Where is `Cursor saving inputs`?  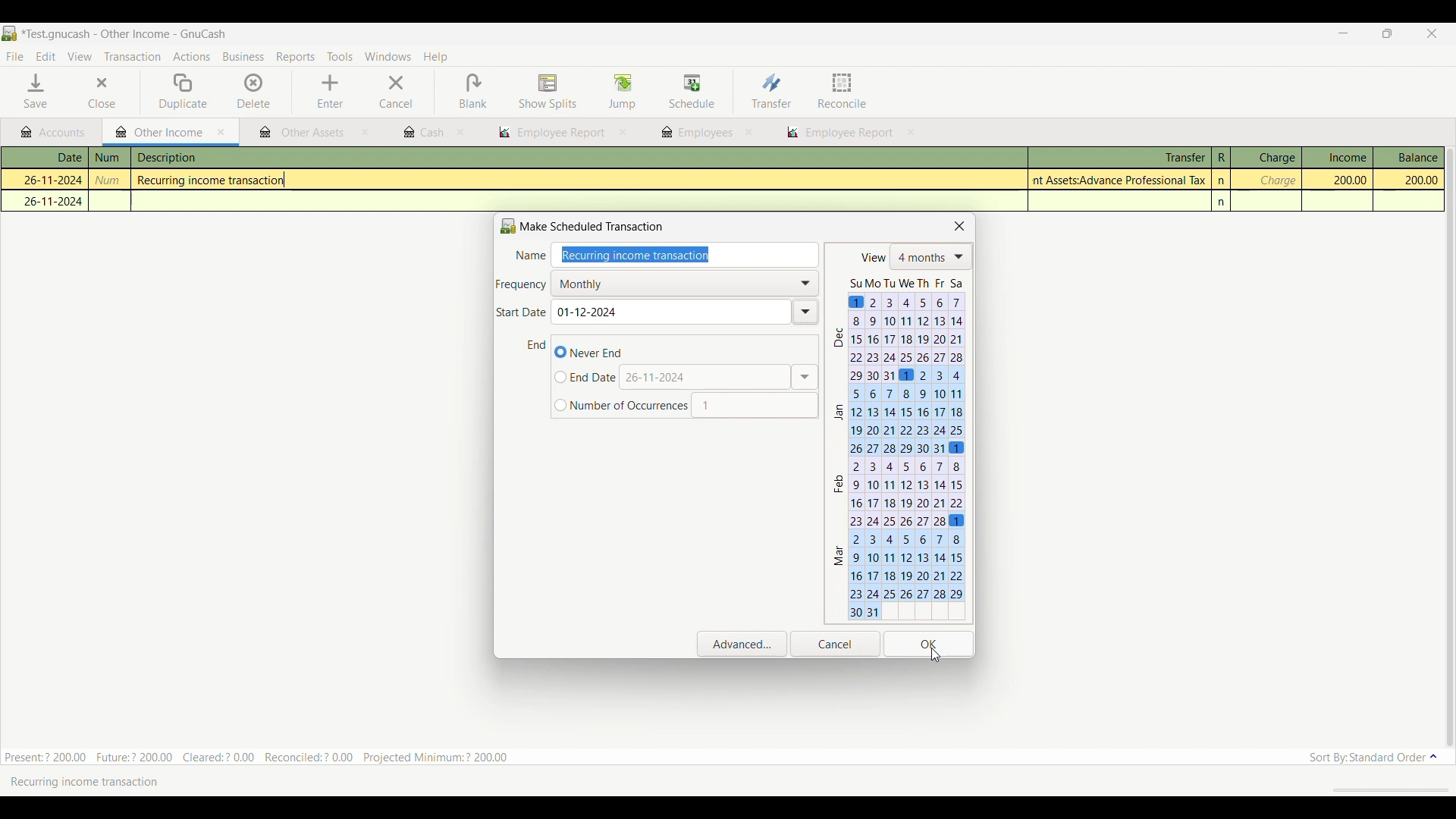
Cursor saving inputs is located at coordinates (935, 654).